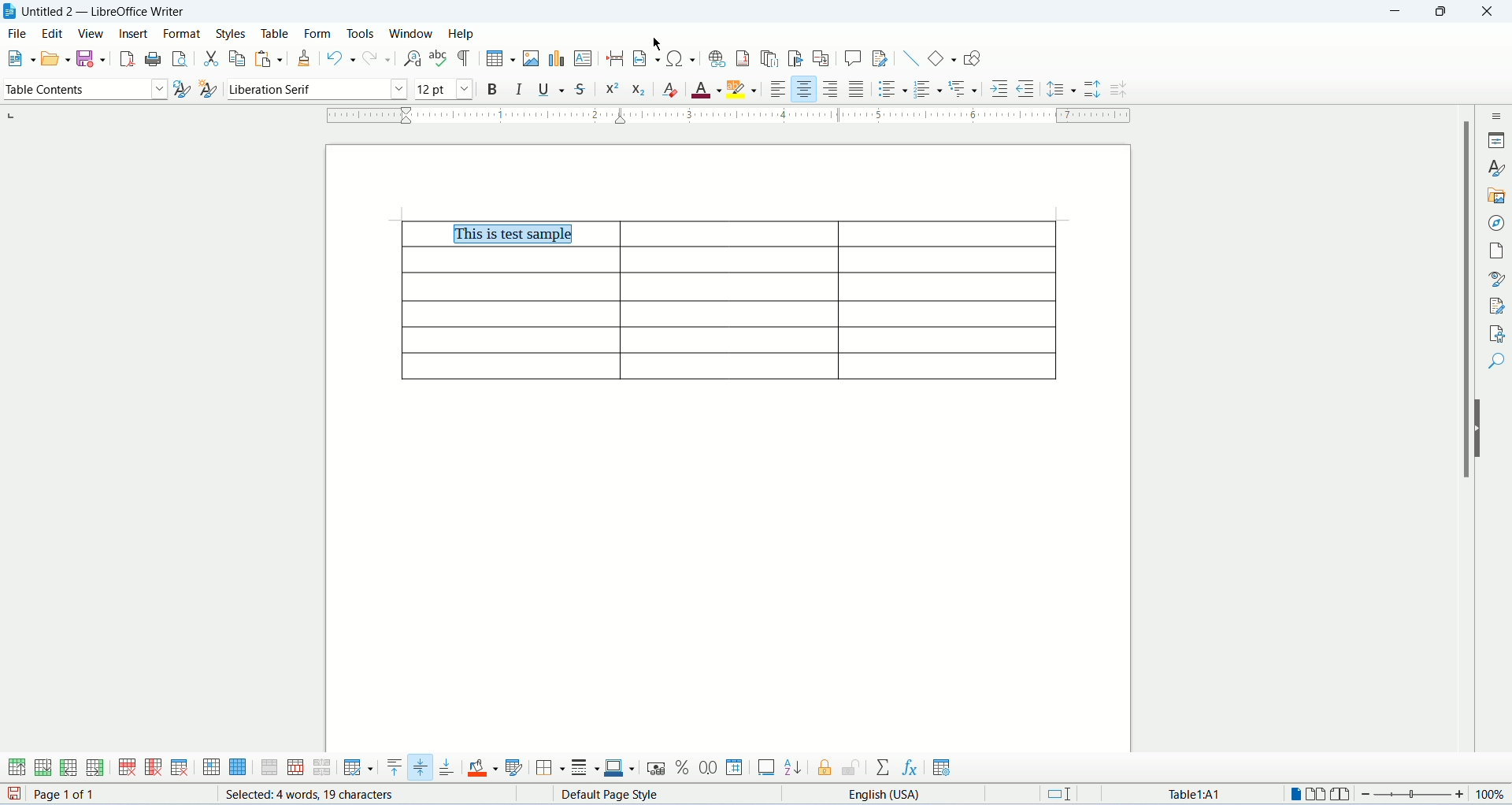 Image resolution: width=1512 pixels, height=805 pixels. I want to click on styles, so click(1498, 169).